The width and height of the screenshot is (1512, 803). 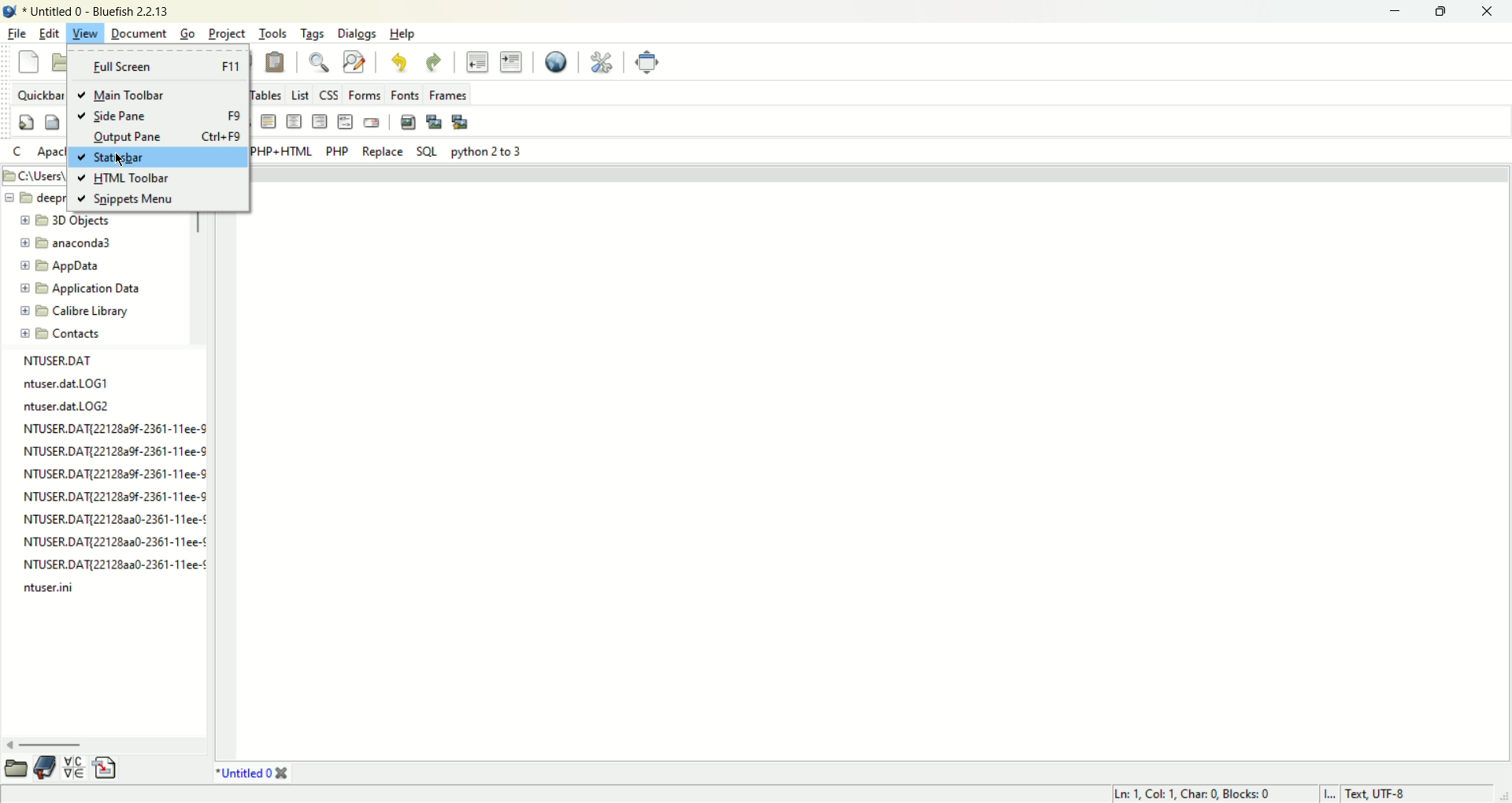 I want to click on minimize, so click(x=1398, y=11).